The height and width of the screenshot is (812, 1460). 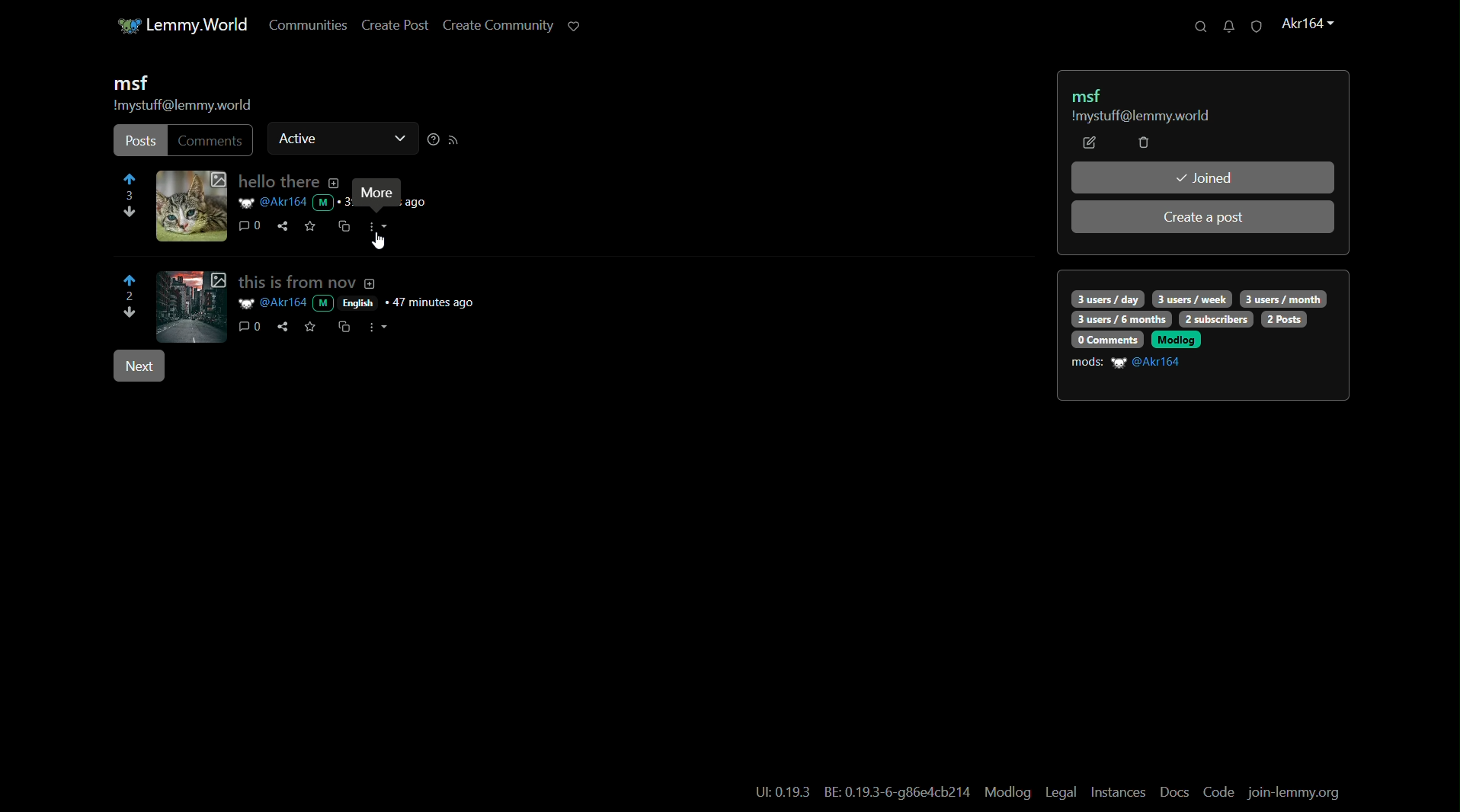 I want to click on unread reports, so click(x=1255, y=27).